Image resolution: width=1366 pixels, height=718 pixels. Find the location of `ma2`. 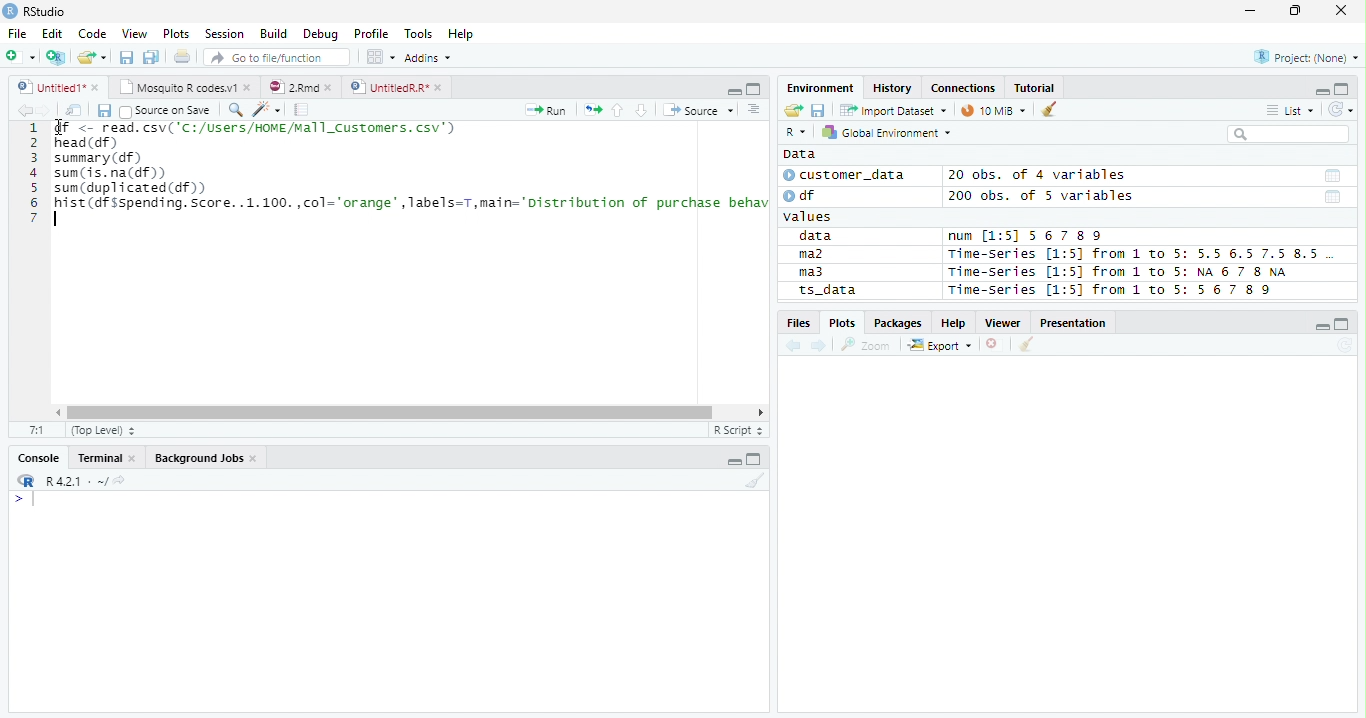

ma2 is located at coordinates (816, 256).